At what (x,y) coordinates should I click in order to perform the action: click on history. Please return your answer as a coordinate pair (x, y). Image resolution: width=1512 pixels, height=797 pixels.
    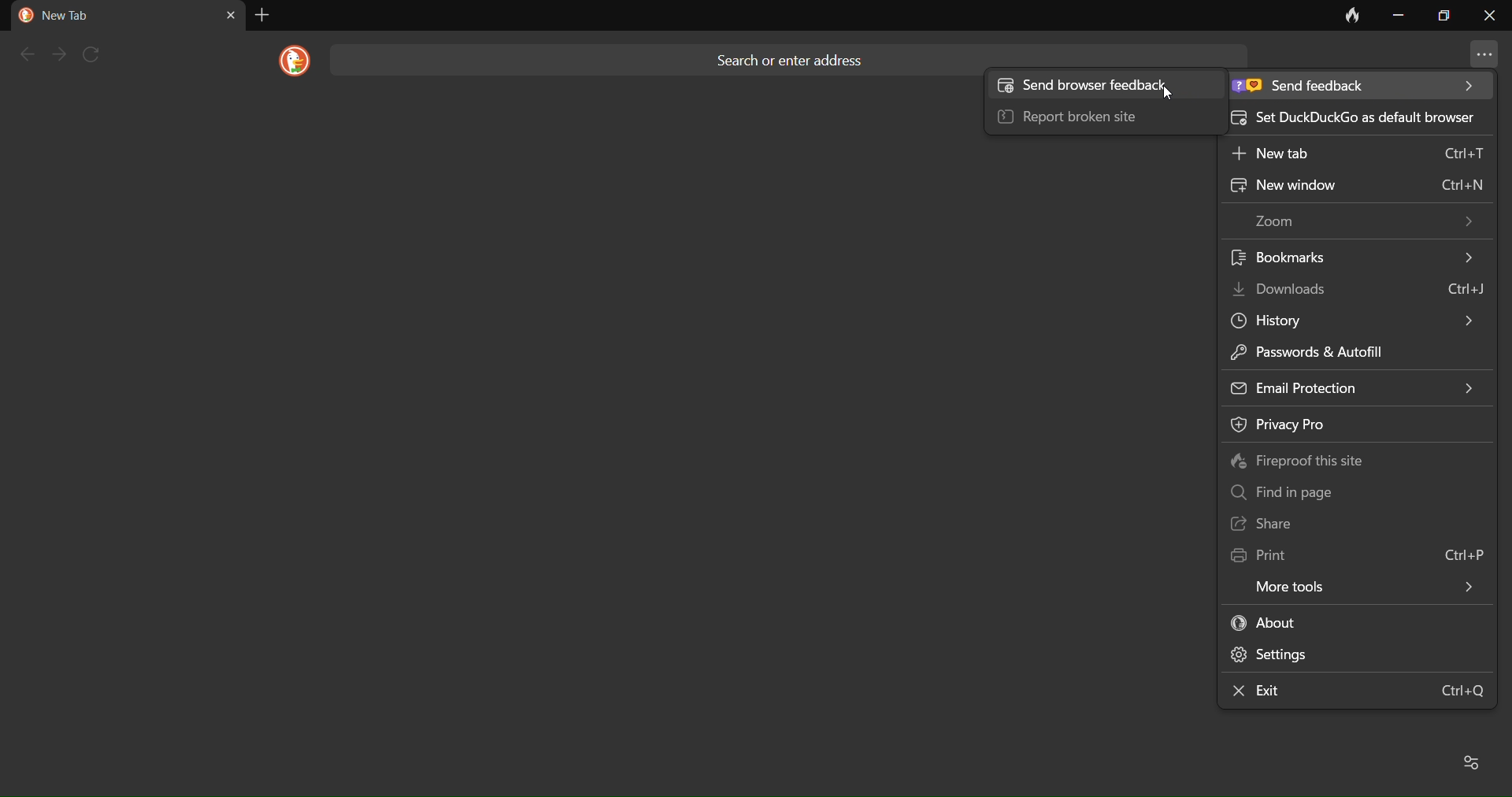
    Looking at the image, I should click on (1355, 321).